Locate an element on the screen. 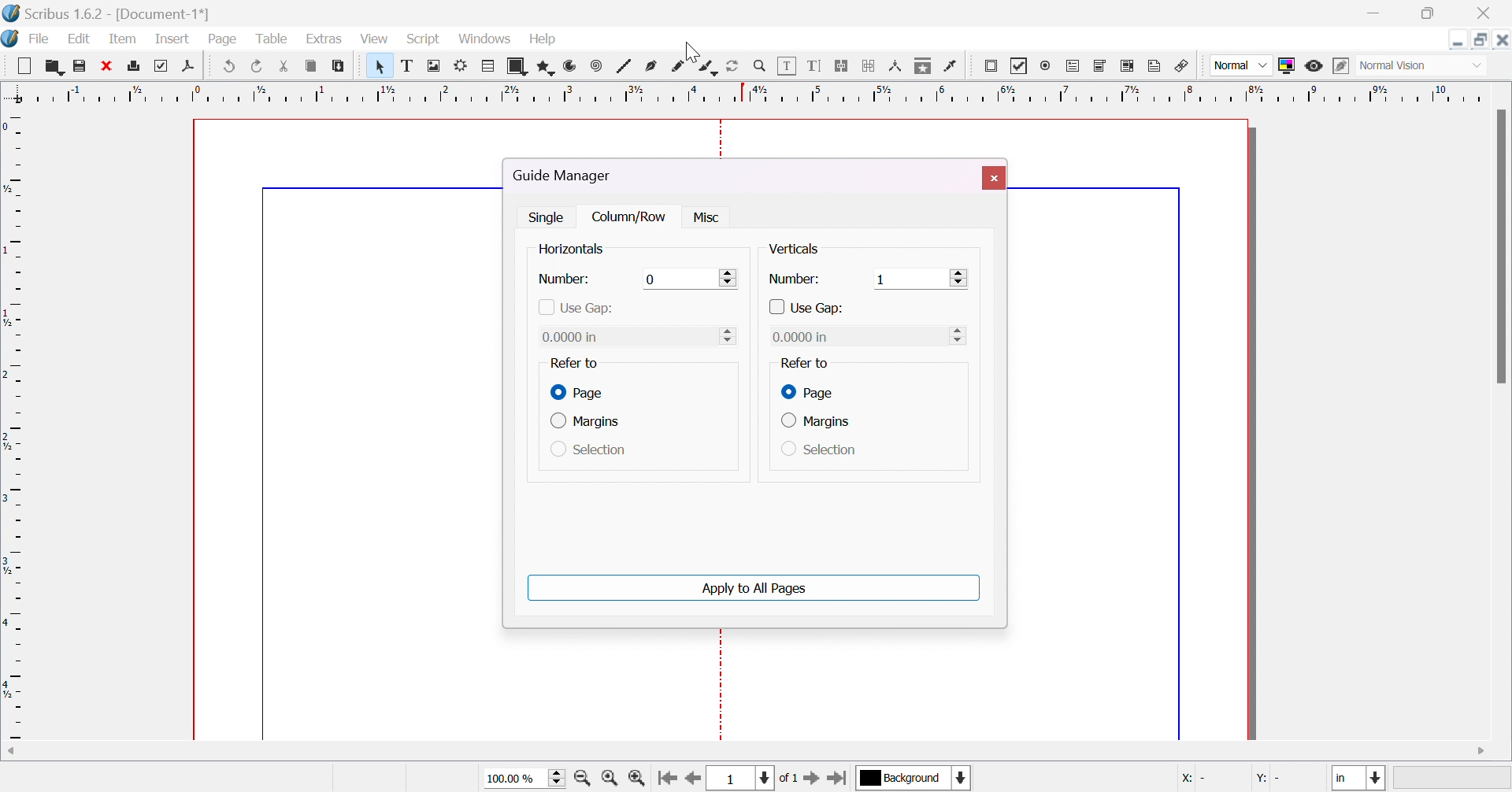 This screenshot has height=792, width=1512. PDF list box is located at coordinates (1129, 65).